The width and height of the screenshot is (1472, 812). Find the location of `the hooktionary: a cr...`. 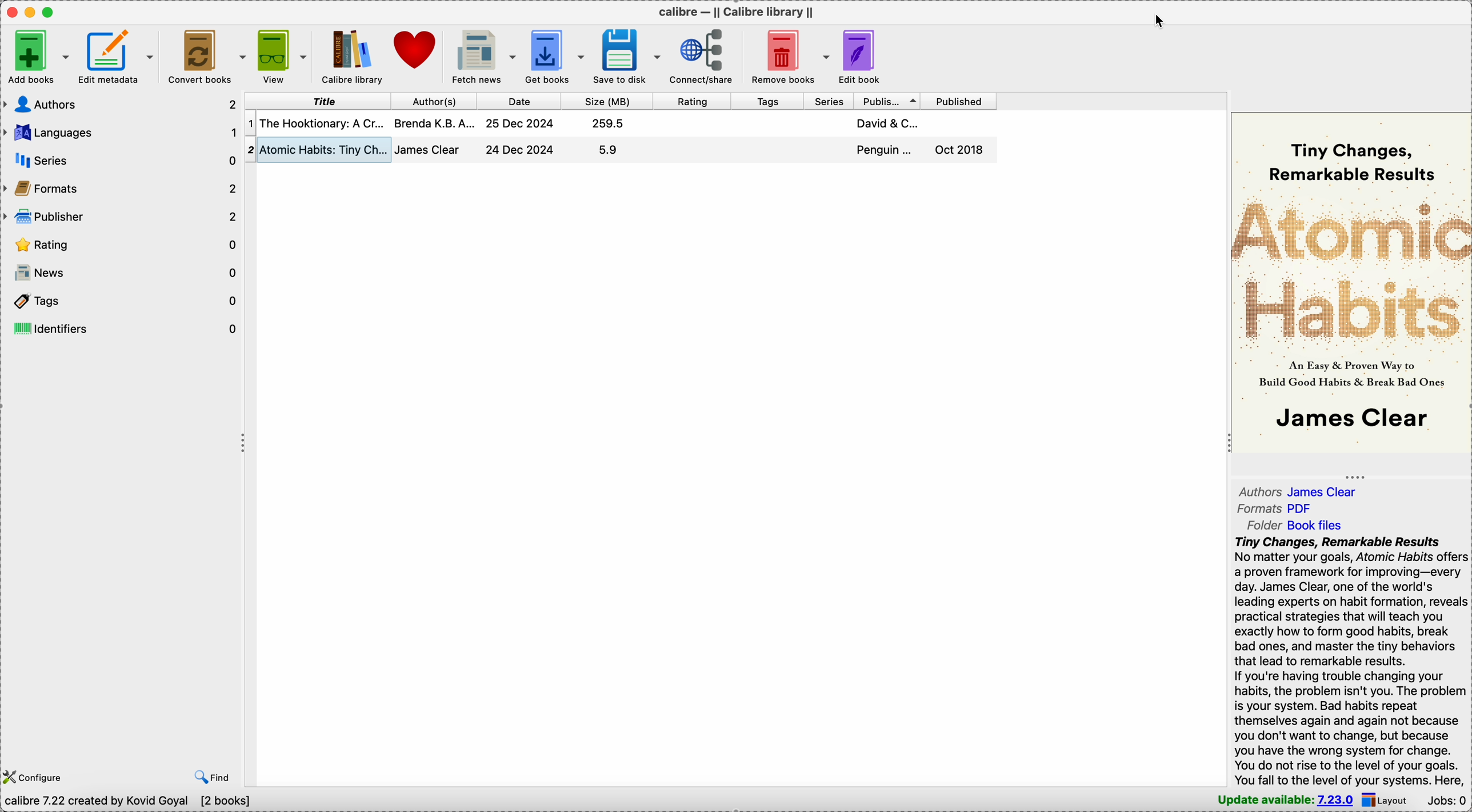

the hooktionary: a cr... is located at coordinates (322, 123).